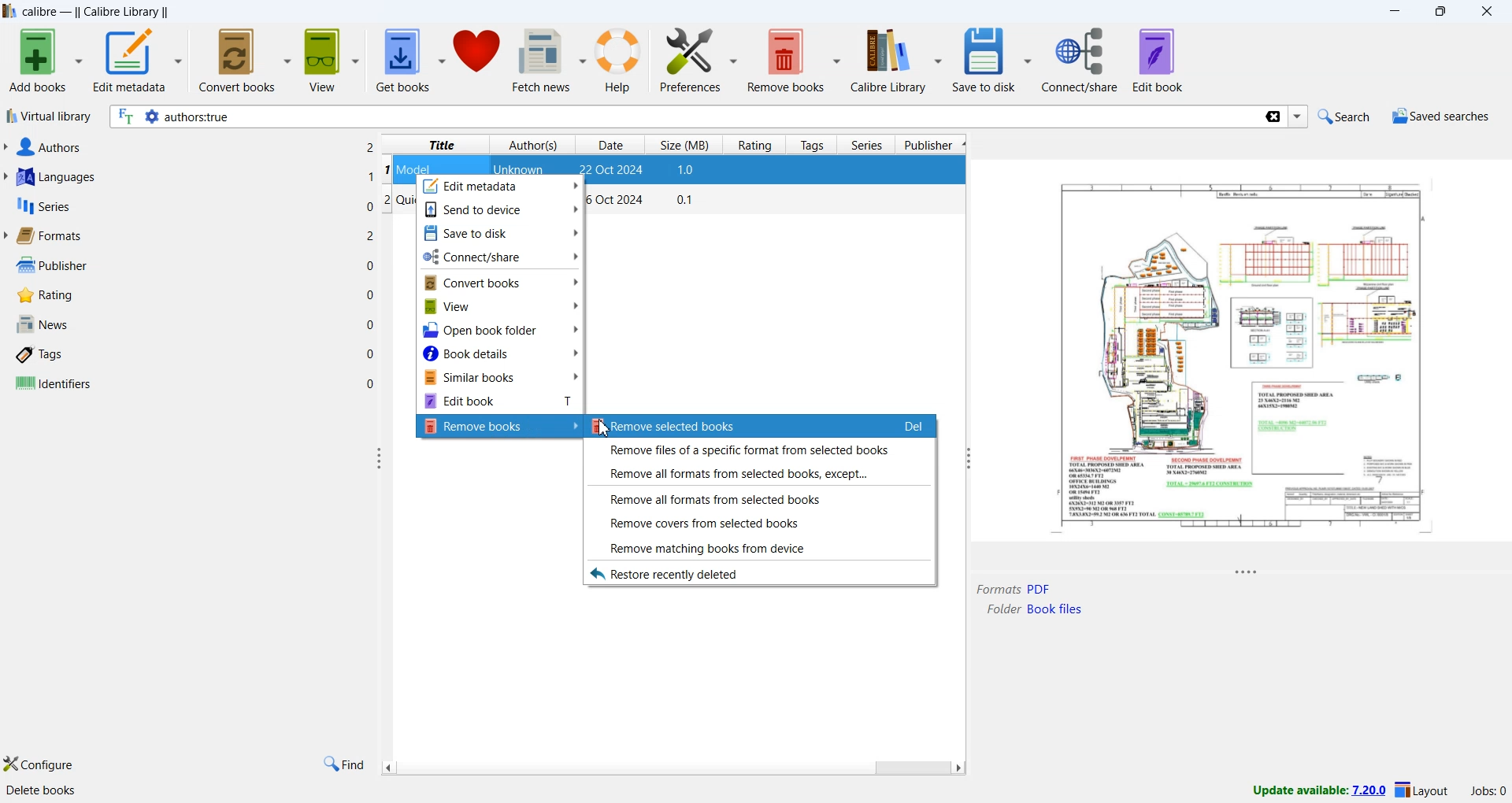  Describe the element at coordinates (371, 176) in the screenshot. I see `1` at that location.